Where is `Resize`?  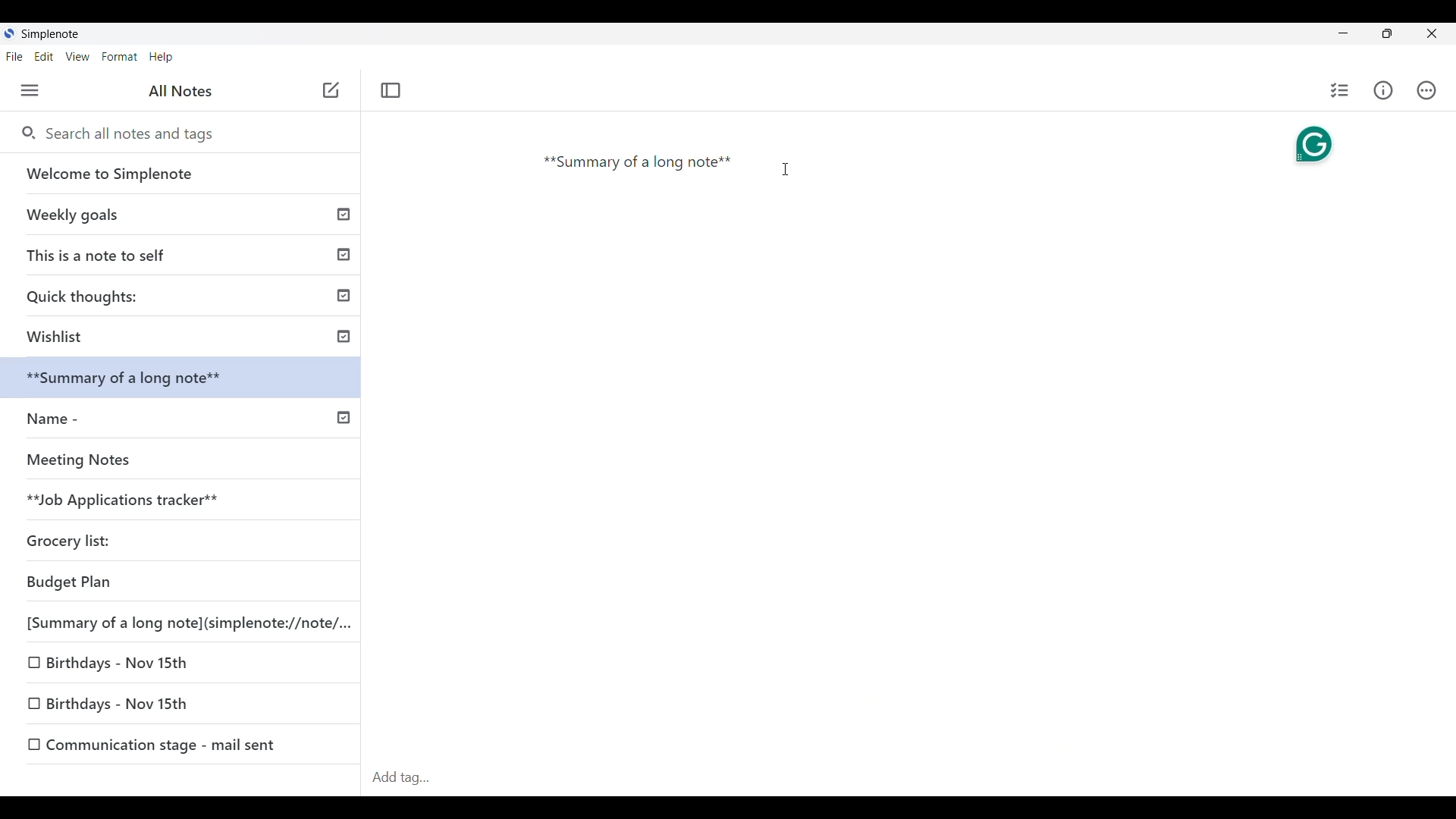
Resize is located at coordinates (1388, 33).